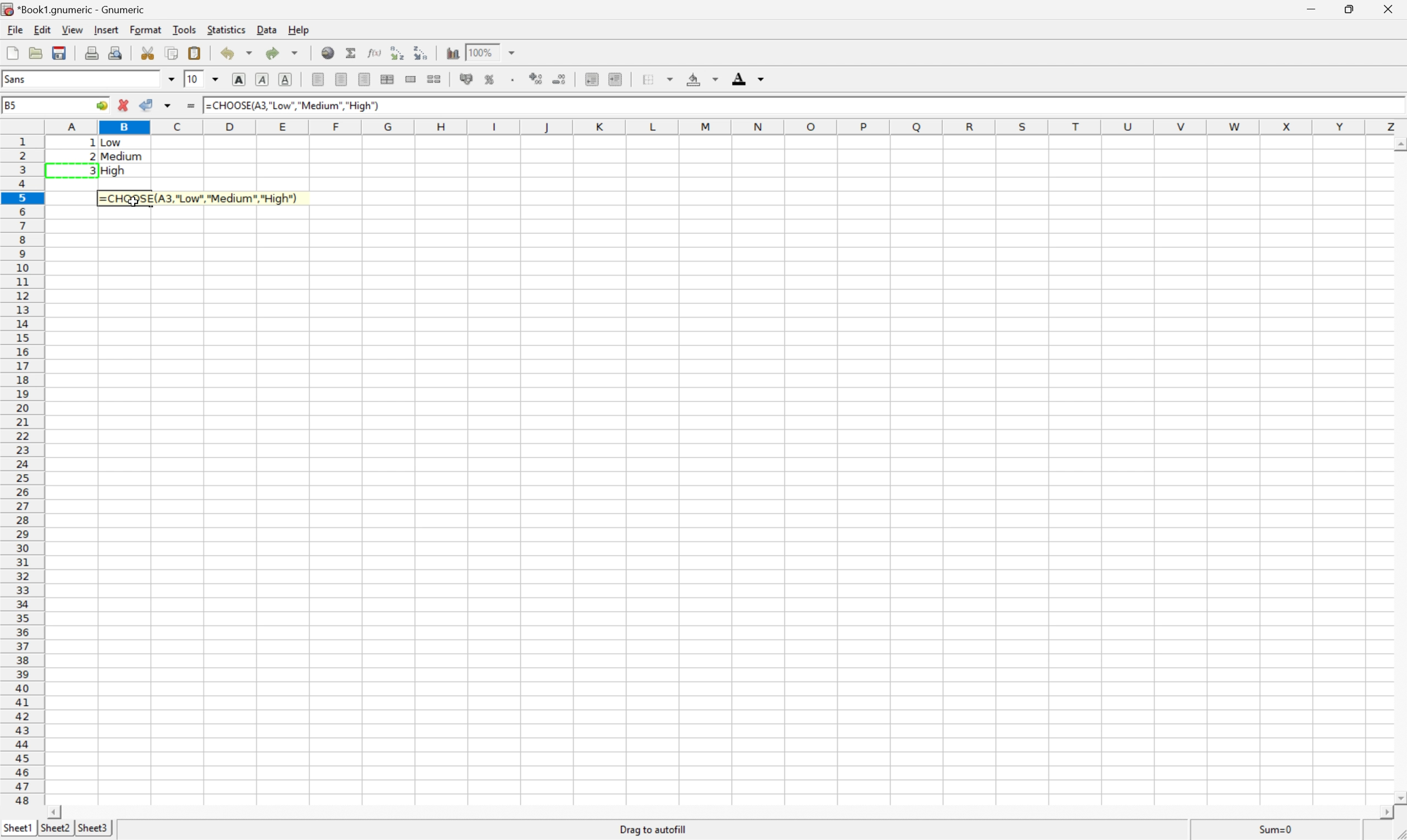 The image size is (1407, 840). What do you see at coordinates (19, 79) in the screenshot?
I see `Sans` at bounding box center [19, 79].